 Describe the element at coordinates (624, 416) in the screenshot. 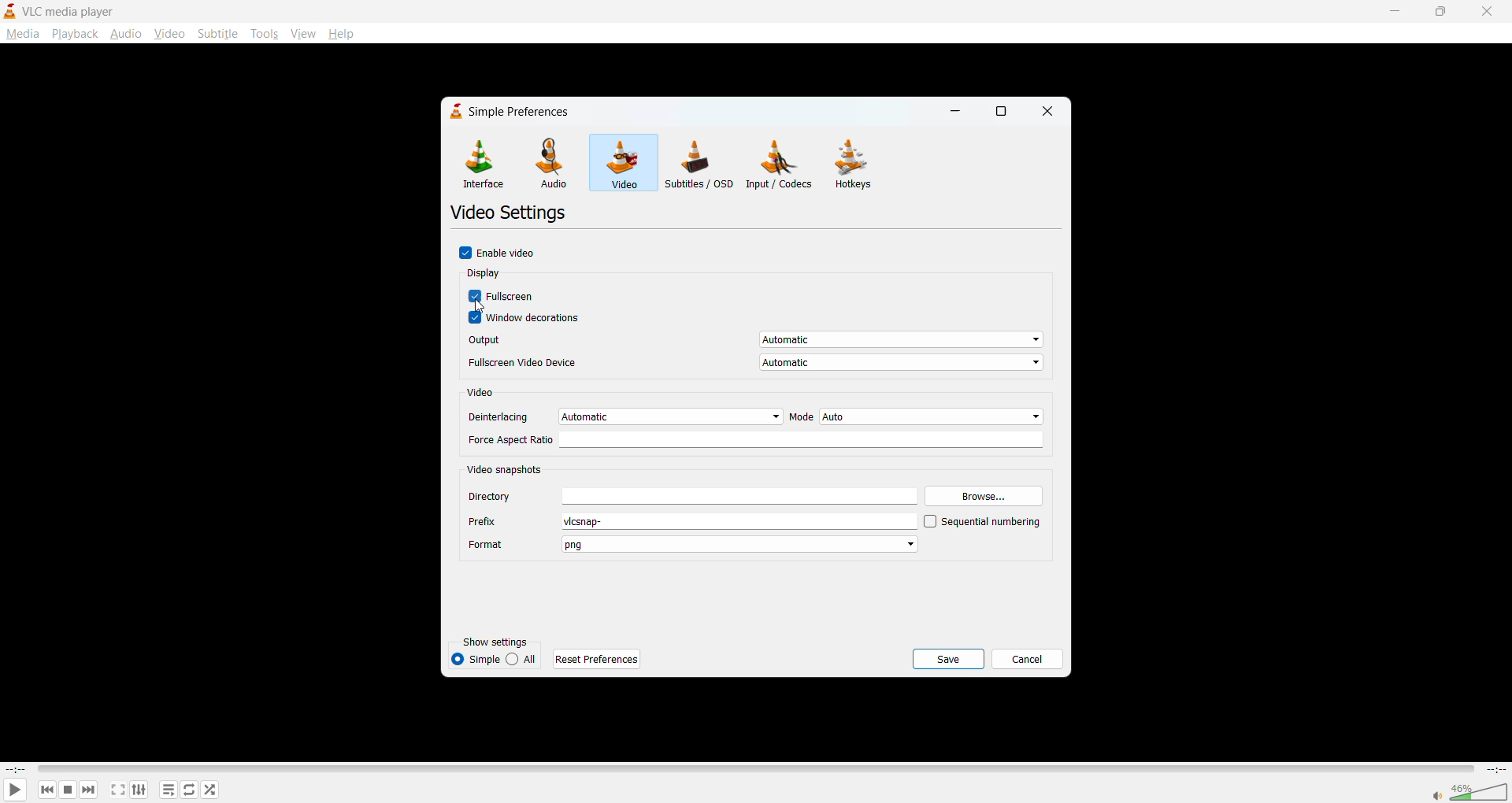

I see `deinterlacing` at that location.